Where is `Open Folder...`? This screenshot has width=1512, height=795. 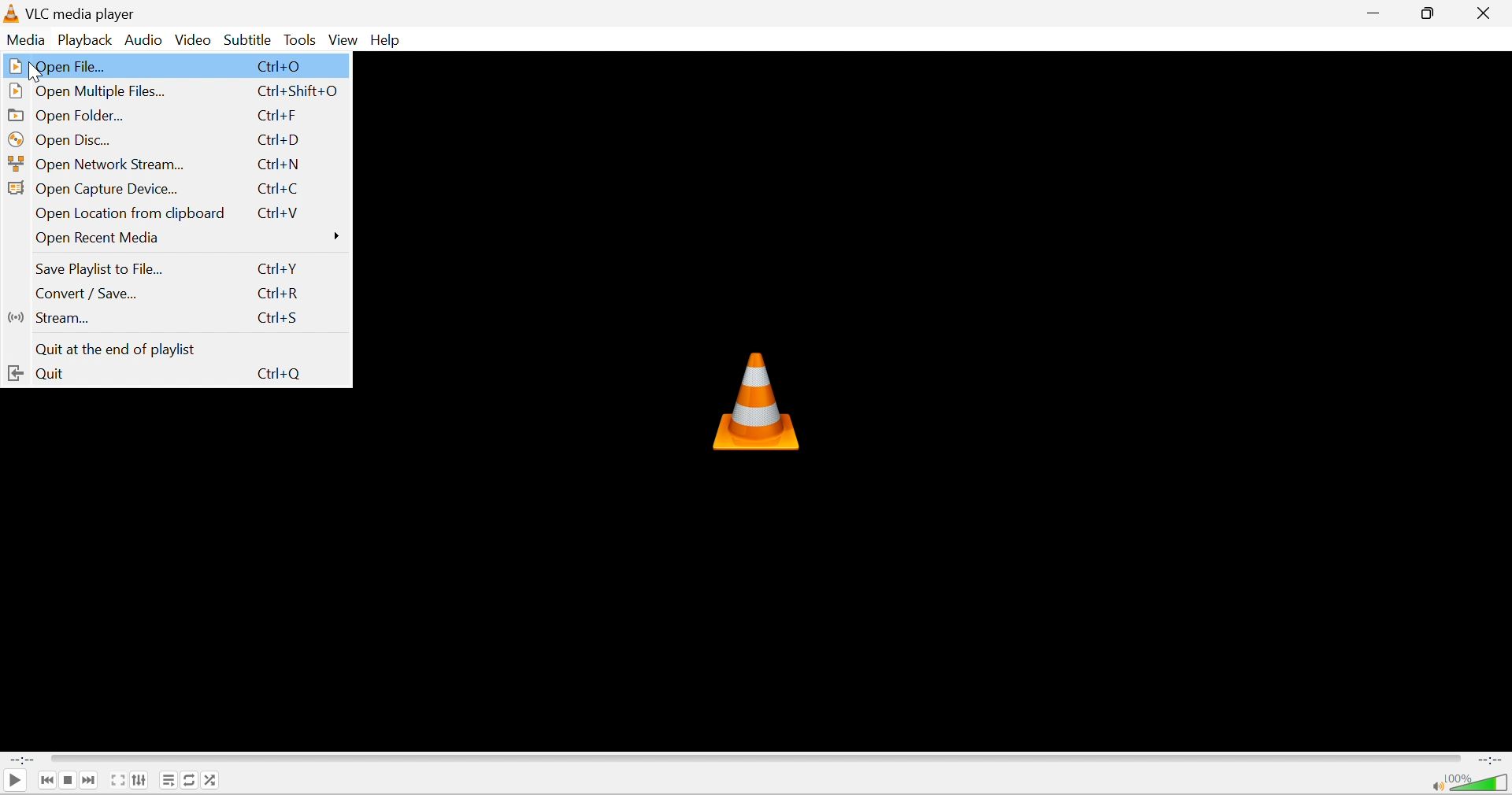 Open Folder... is located at coordinates (69, 115).